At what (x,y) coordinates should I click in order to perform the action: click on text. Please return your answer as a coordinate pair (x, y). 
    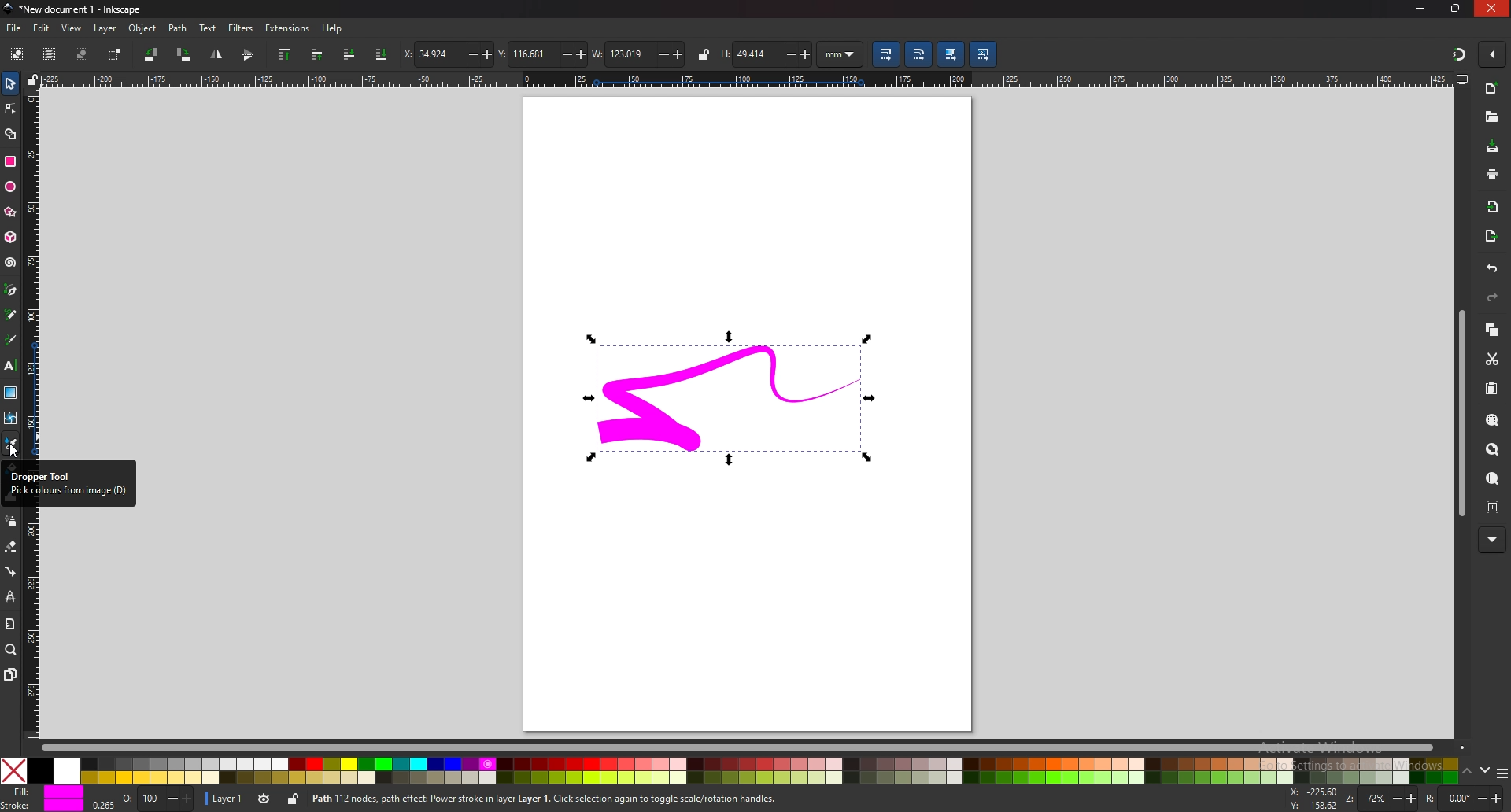
    Looking at the image, I should click on (11, 364).